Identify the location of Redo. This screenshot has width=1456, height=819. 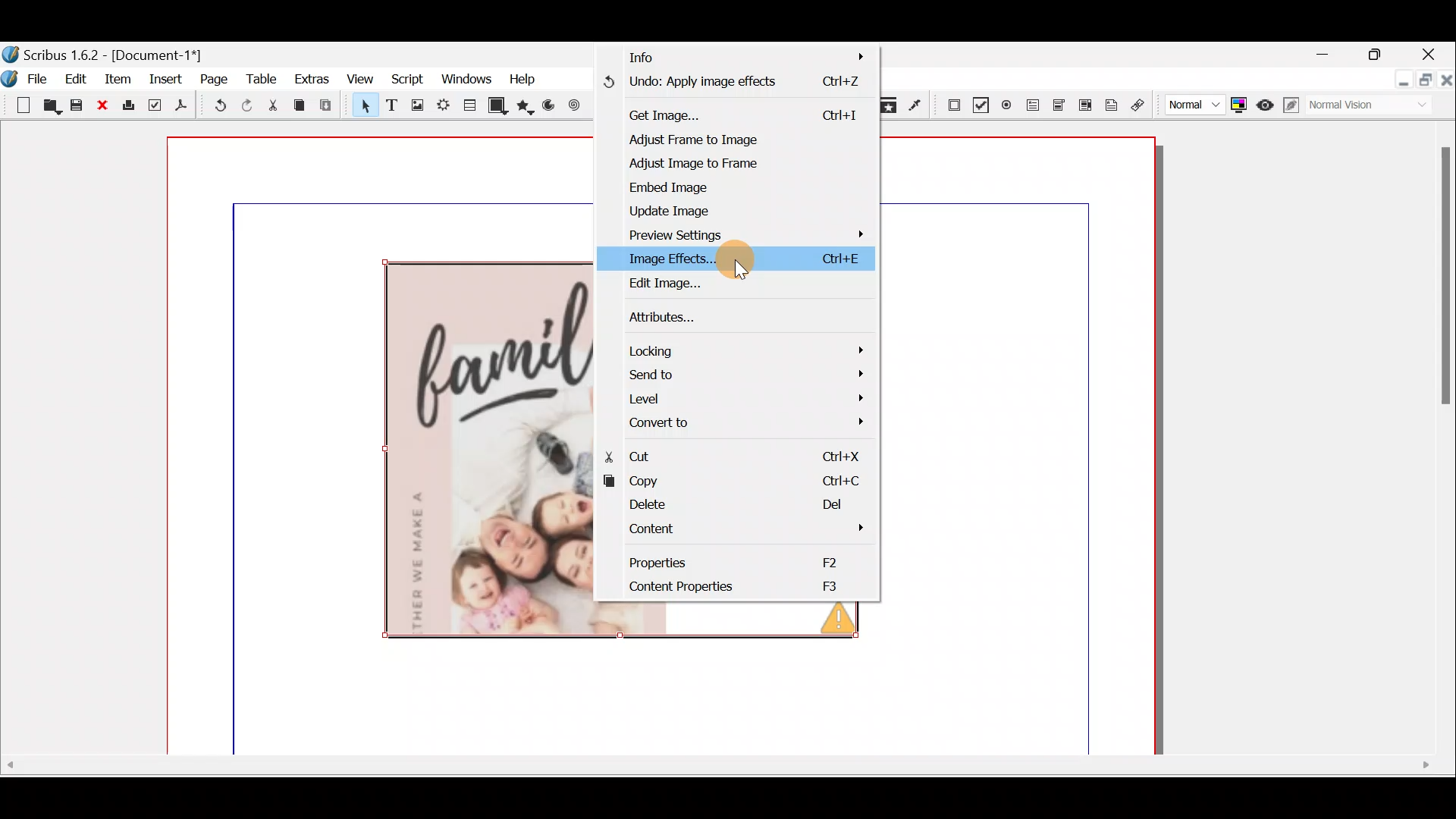
(244, 106).